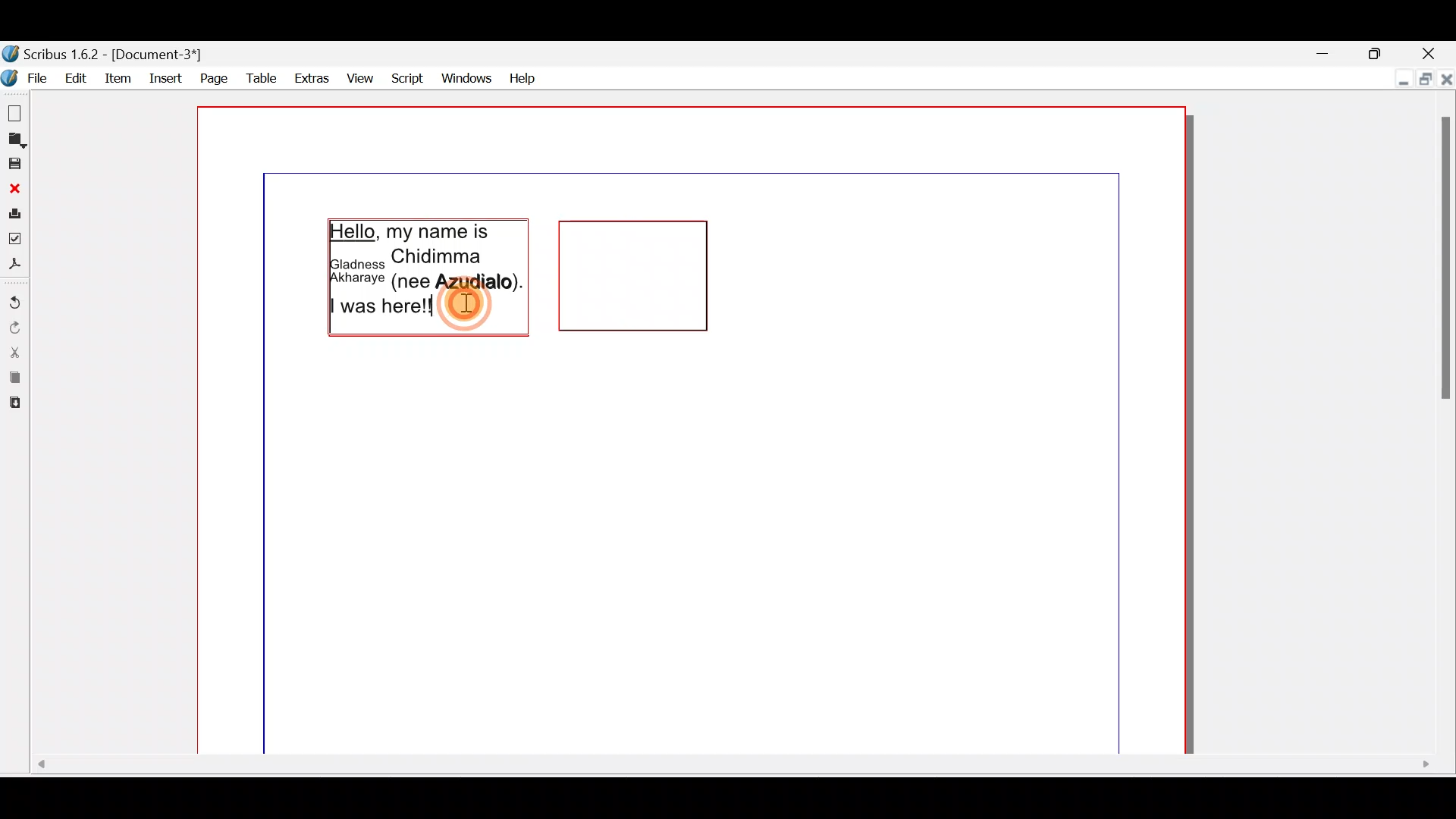 This screenshot has width=1456, height=819. What do you see at coordinates (468, 306) in the screenshot?
I see `Cursor` at bounding box center [468, 306].